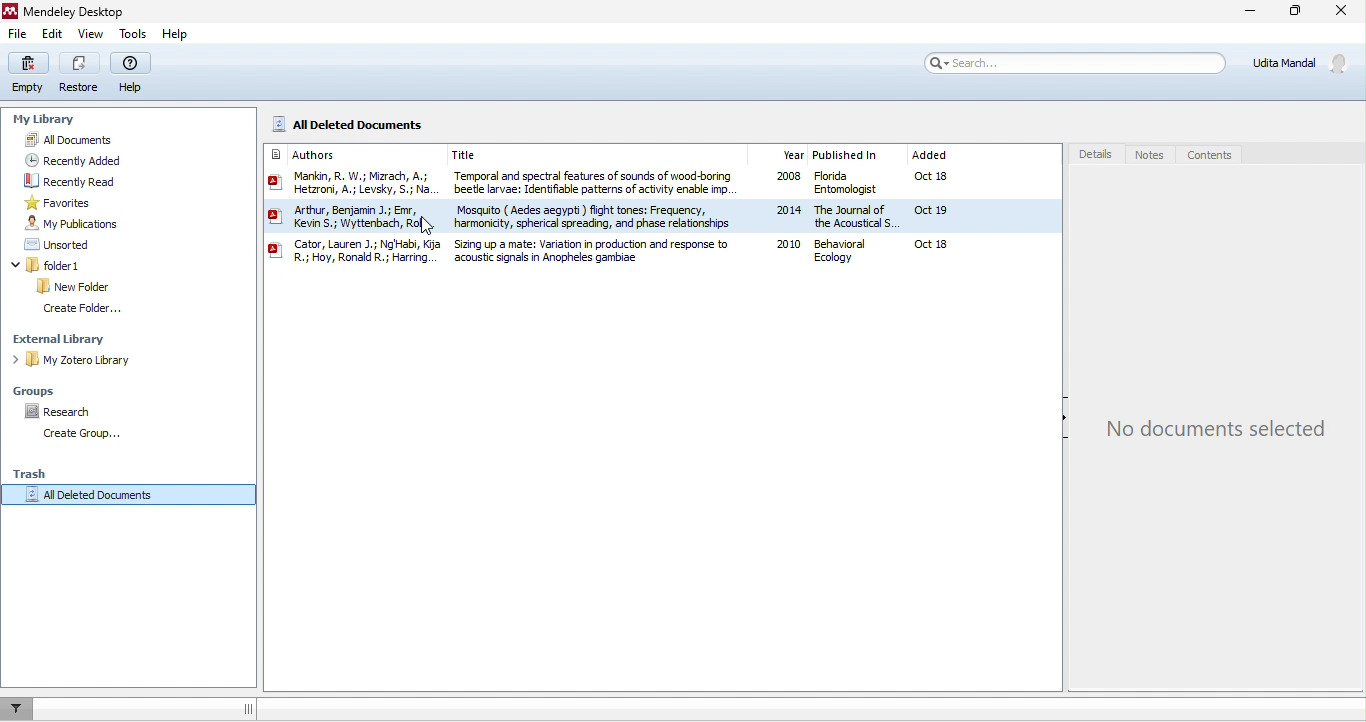 The height and width of the screenshot is (722, 1366). Describe the element at coordinates (35, 390) in the screenshot. I see `groups` at that location.